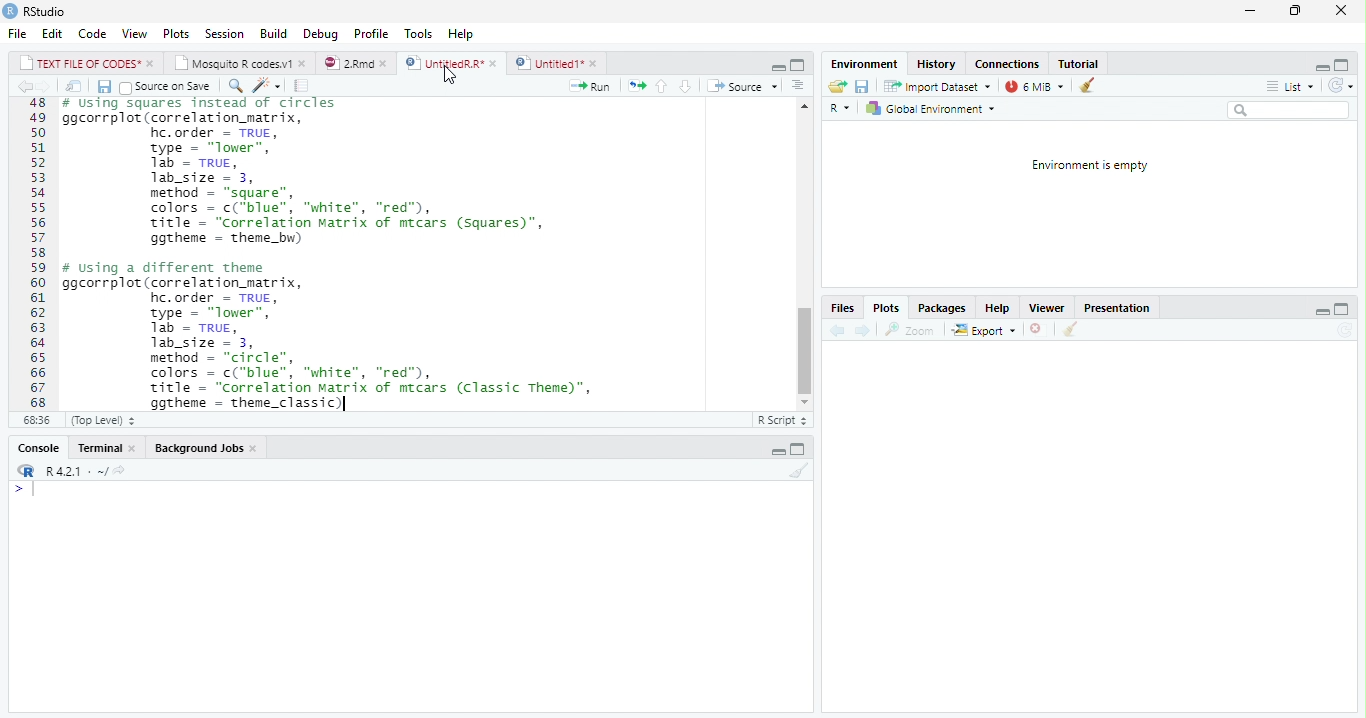 The width and height of the screenshot is (1366, 718). I want to click on search bar, so click(1295, 110).